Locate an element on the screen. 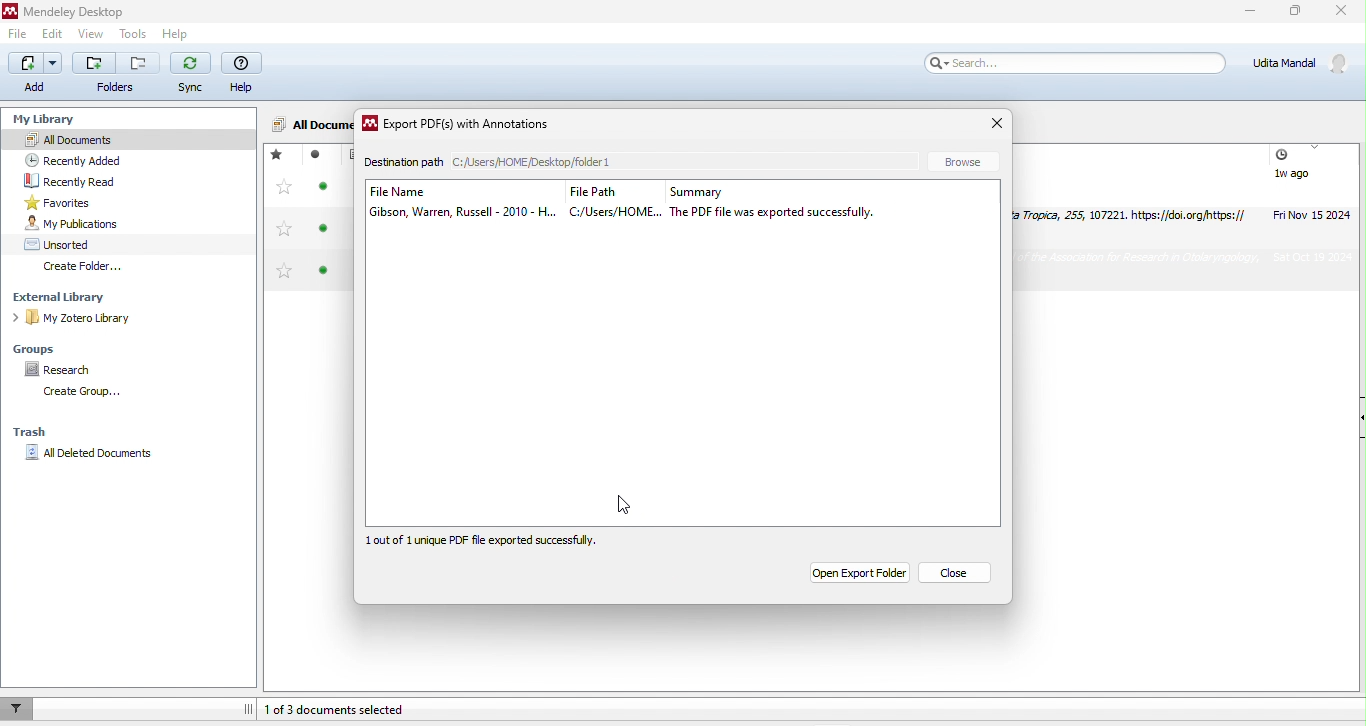  File Name
Gibson, Warren, Russell - 2010 - H. is located at coordinates (453, 203).